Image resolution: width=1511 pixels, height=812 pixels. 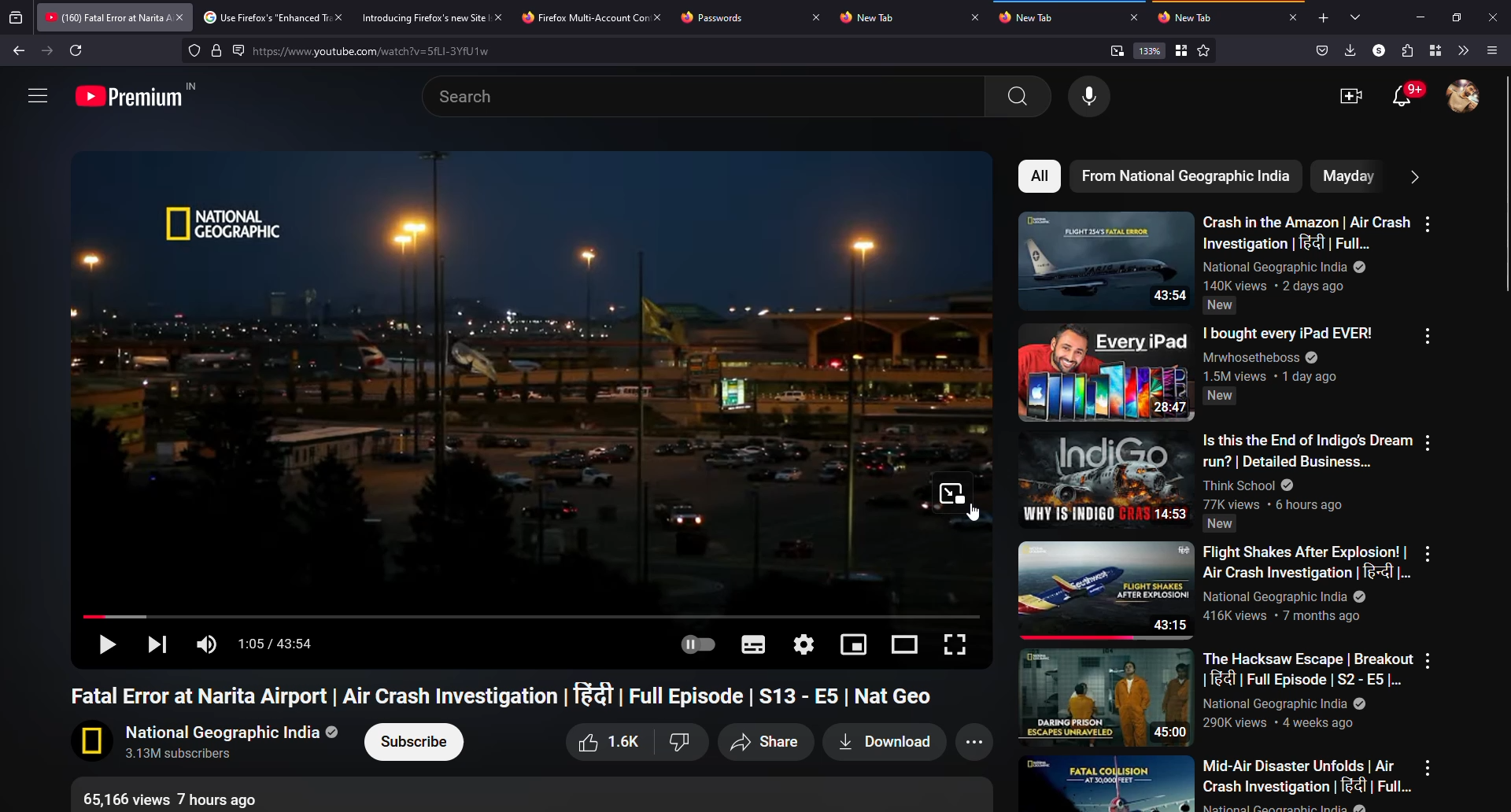 What do you see at coordinates (1306, 583) in the screenshot?
I see `video text description` at bounding box center [1306, 583].